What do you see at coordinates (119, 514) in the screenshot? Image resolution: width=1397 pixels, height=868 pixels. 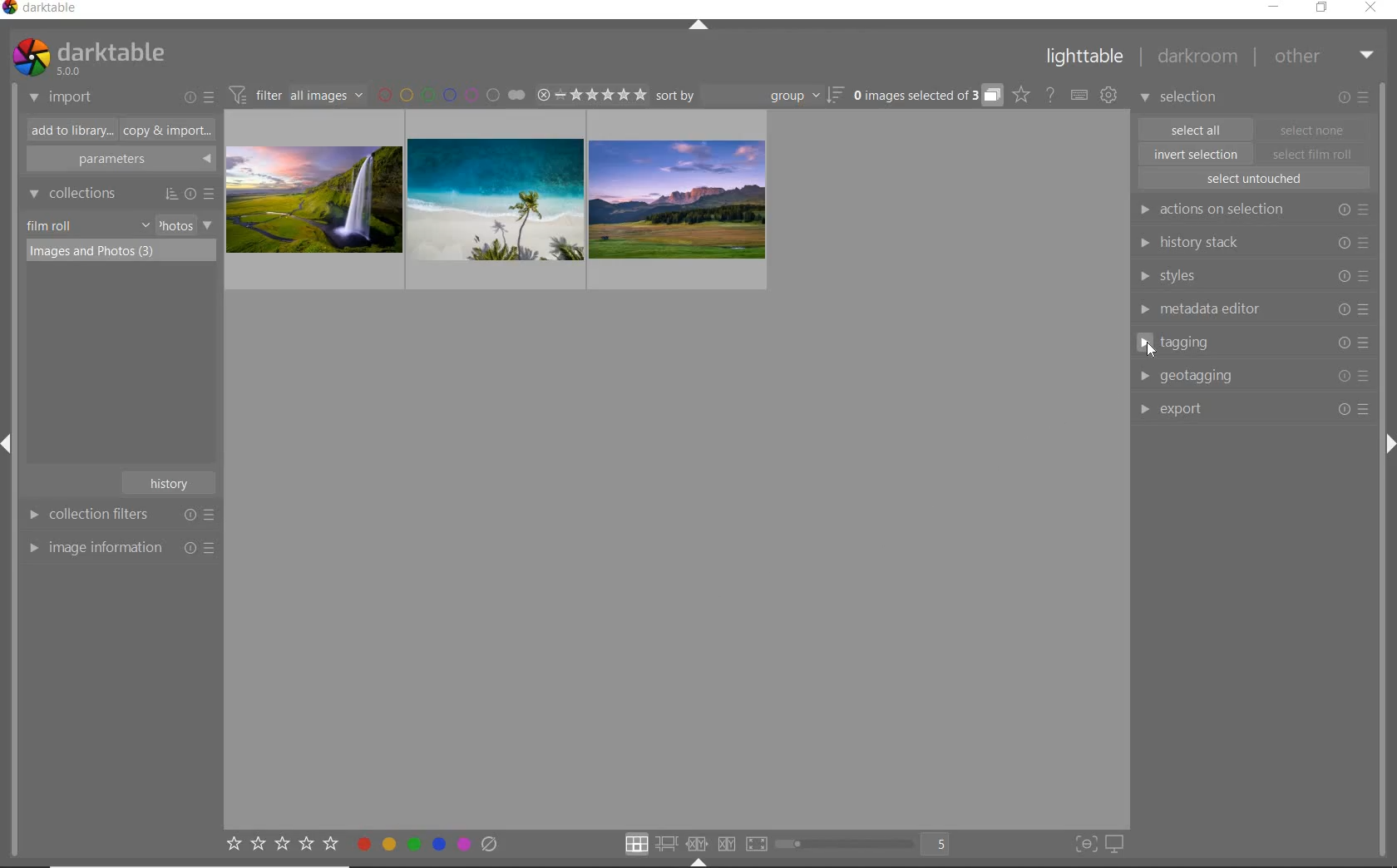 I see `collection filters` at bounding box center [119, 514].